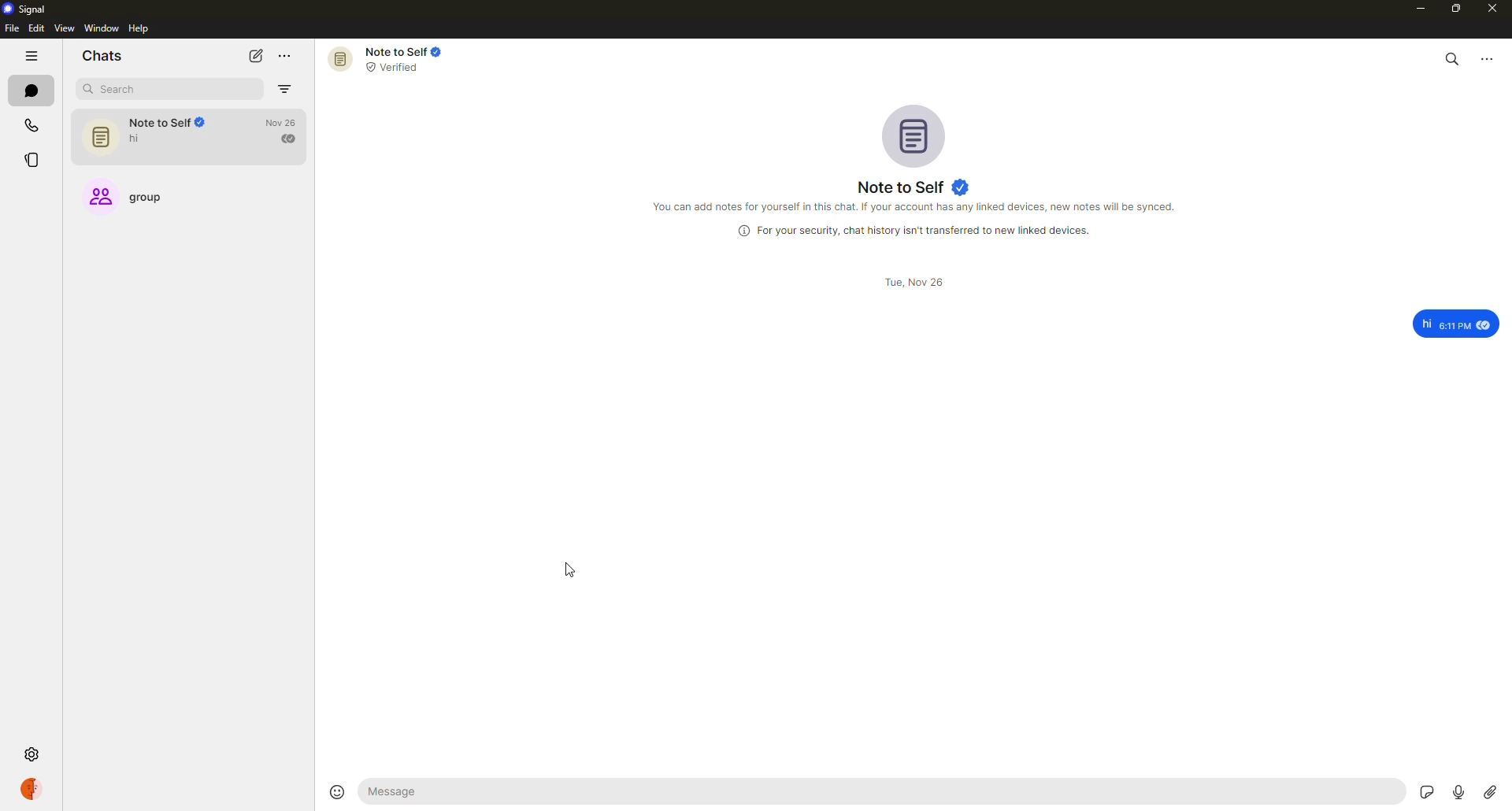 The height and width of the screenshot is (811, 1512). I want to click on attach, so click(1489, 793).